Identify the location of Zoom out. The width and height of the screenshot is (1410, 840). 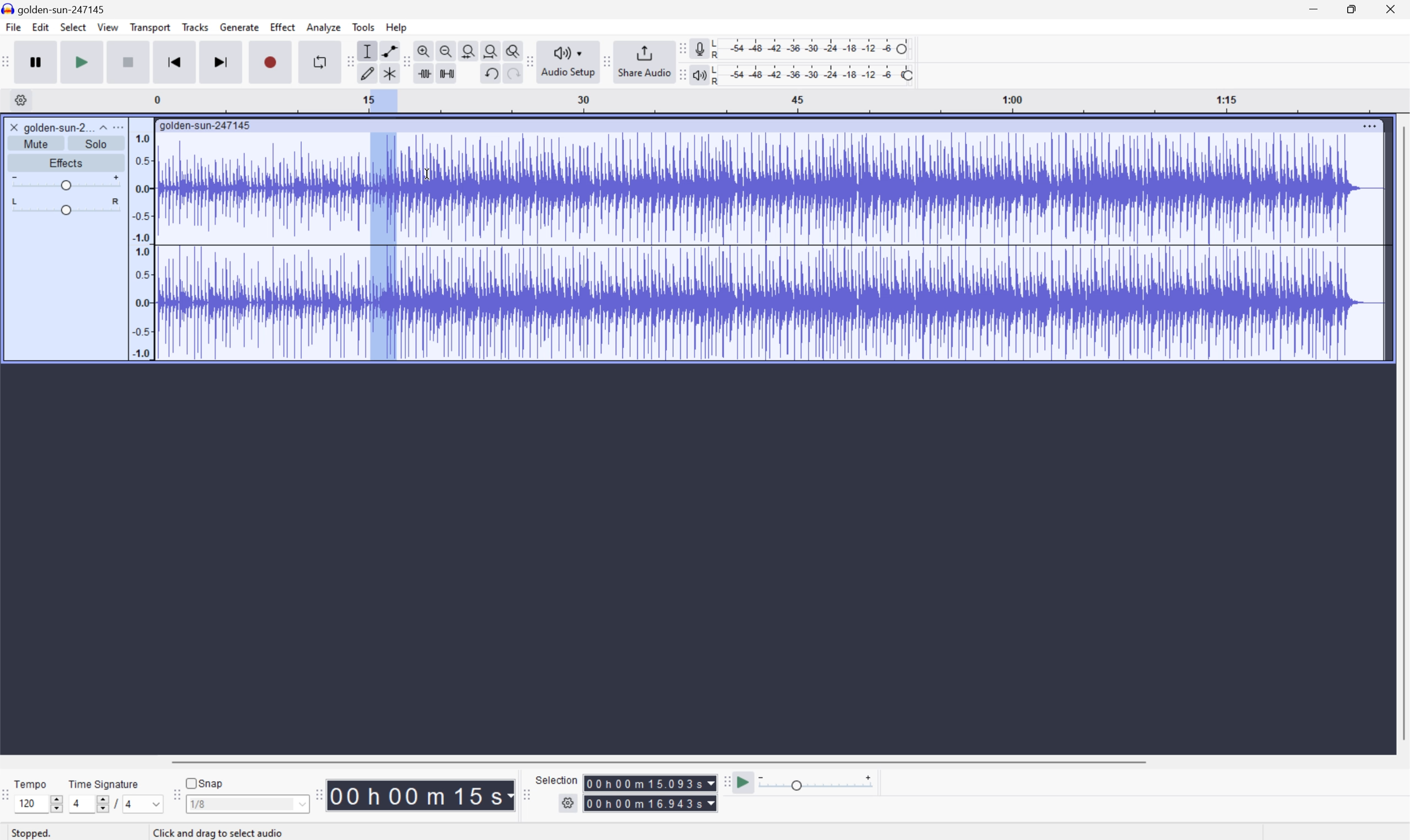
(445, 49).